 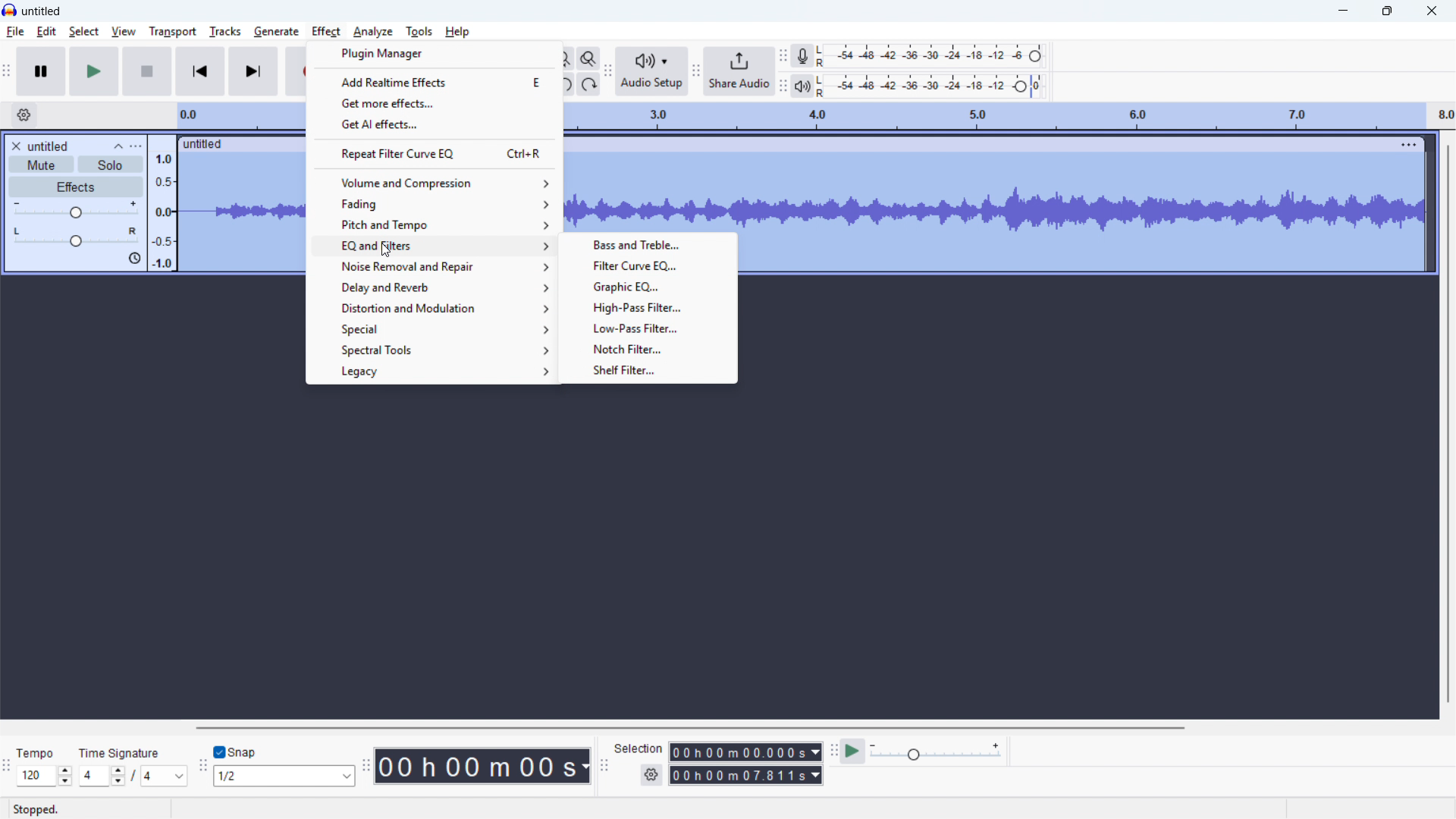 I want to click on pause, so click(x=42, y=71).